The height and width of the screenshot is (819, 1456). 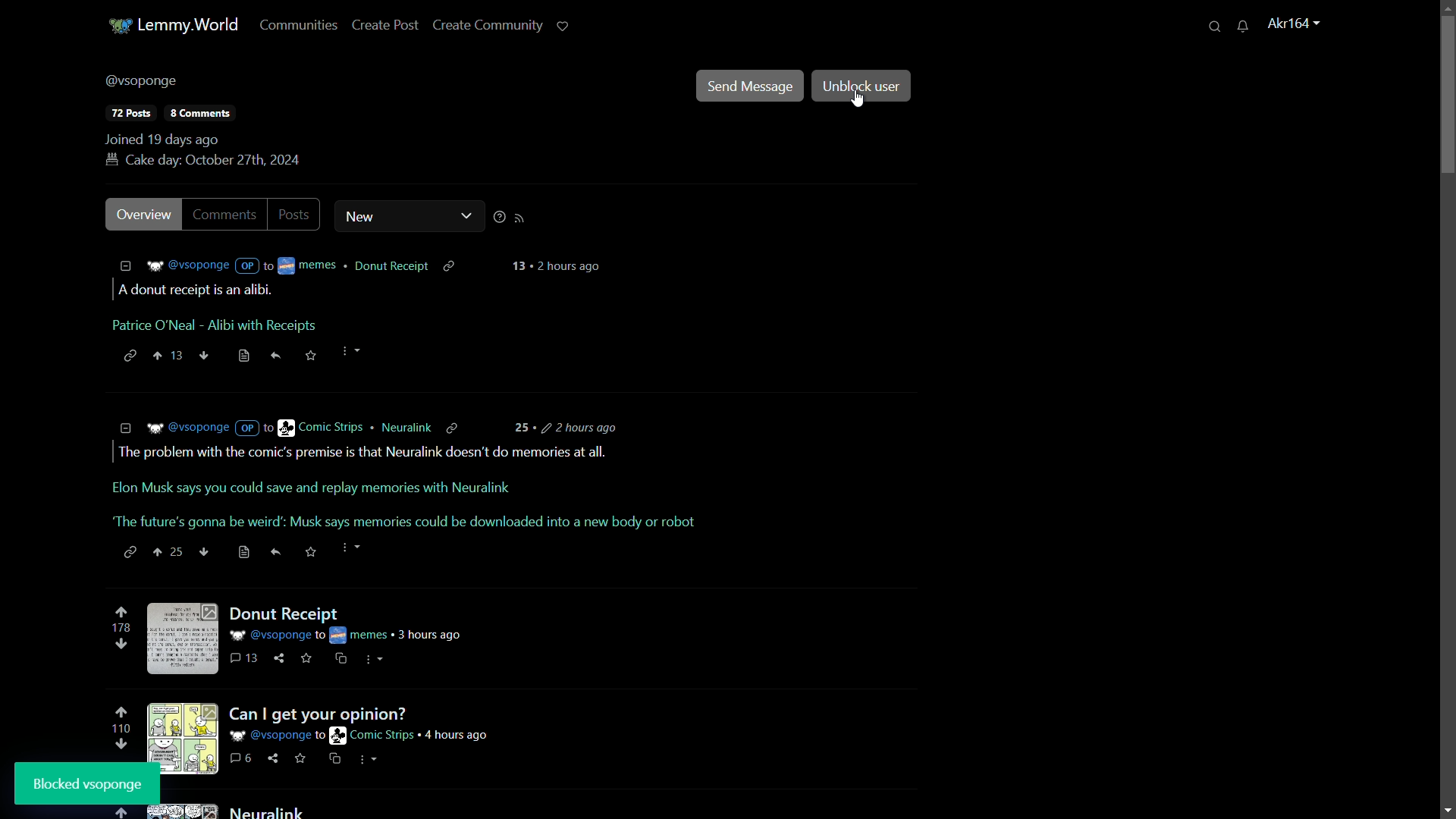 What do you see at coordinates (355, 353) in the screenshot?
I see `more` at bounding box center [355, 353].